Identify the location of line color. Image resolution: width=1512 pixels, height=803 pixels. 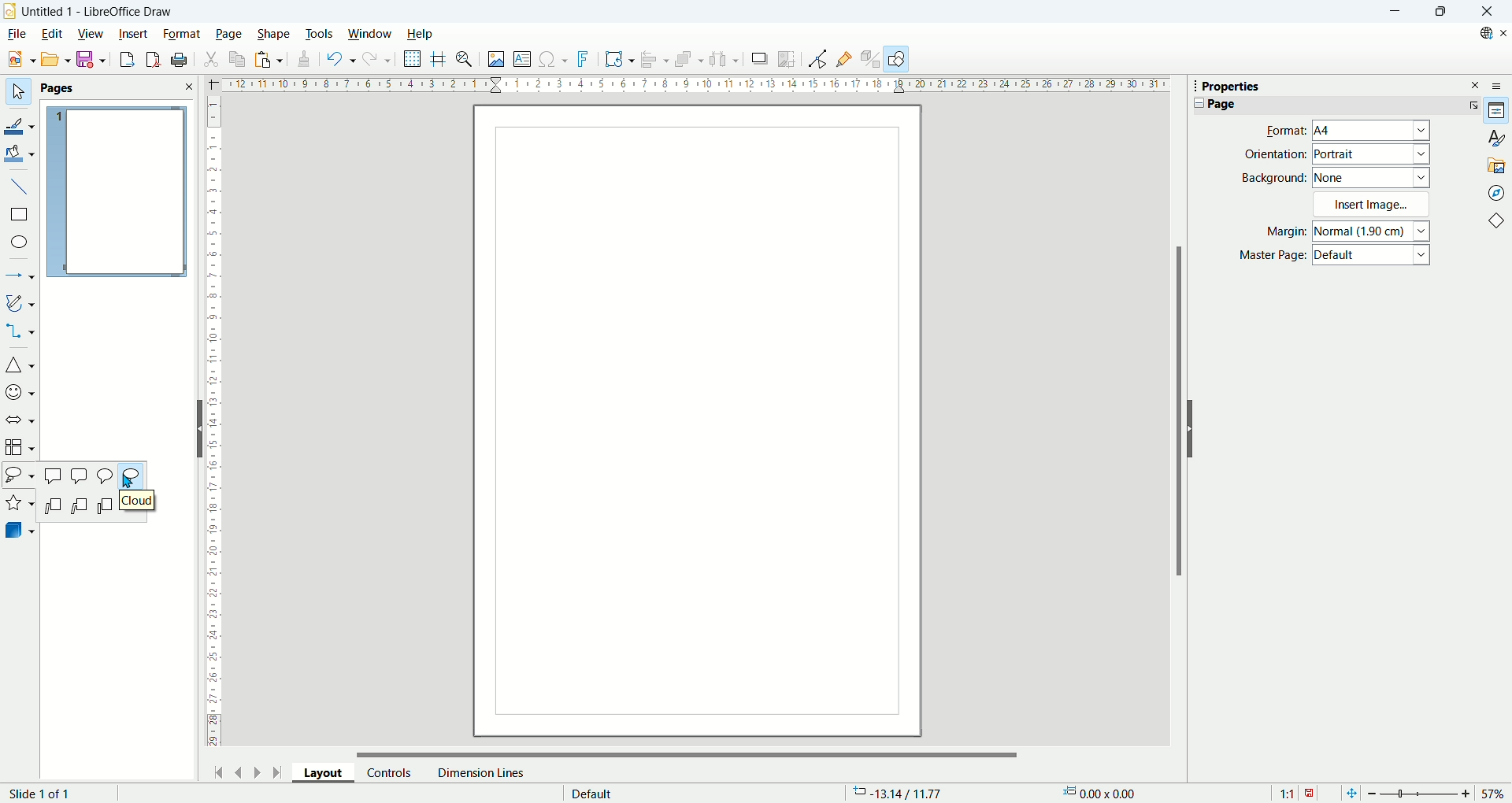
(20, 124).